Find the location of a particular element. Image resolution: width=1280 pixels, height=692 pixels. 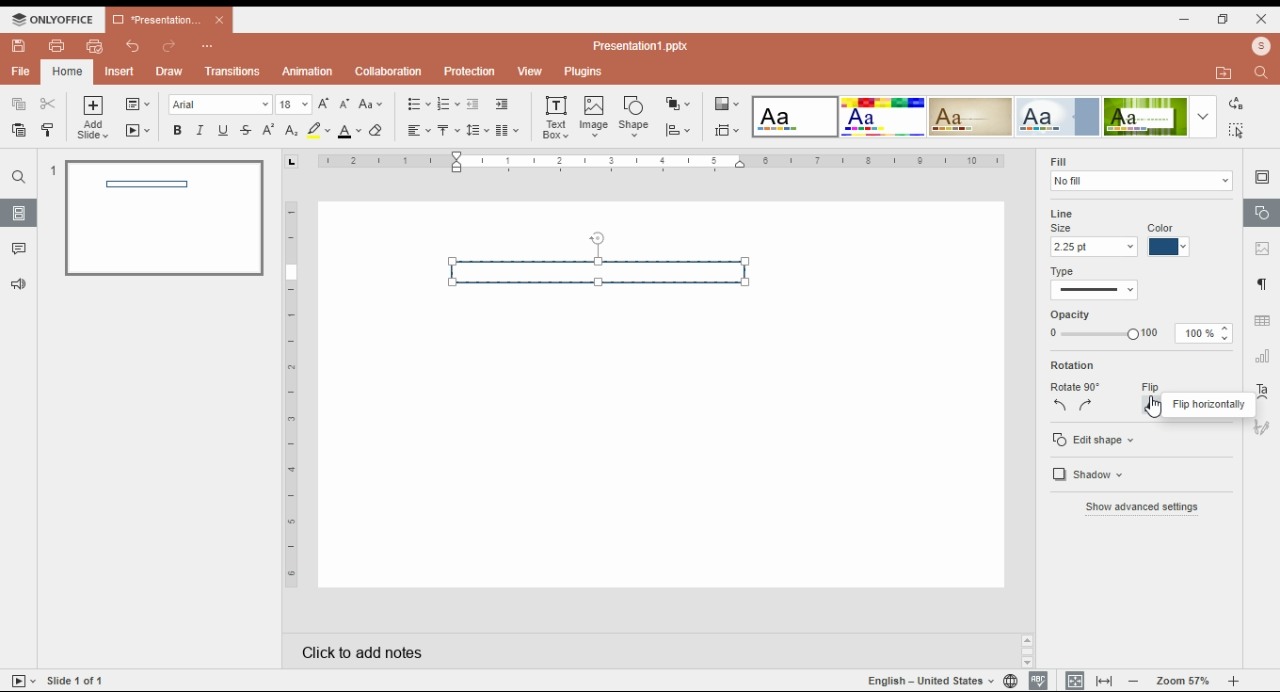

page orientation is located at coordinates (291, 162).